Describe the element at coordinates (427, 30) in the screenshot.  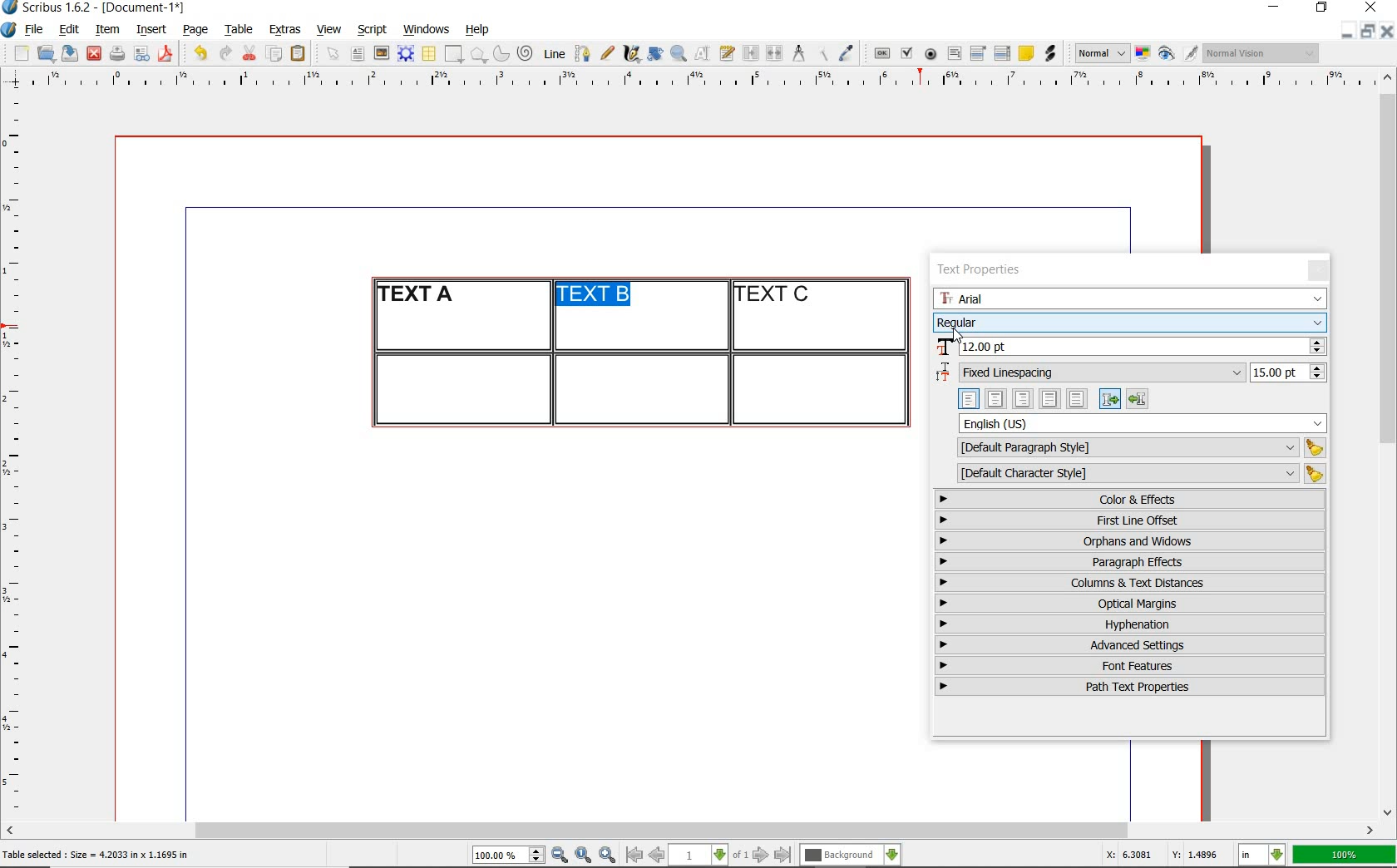
I see `windows` at that location.